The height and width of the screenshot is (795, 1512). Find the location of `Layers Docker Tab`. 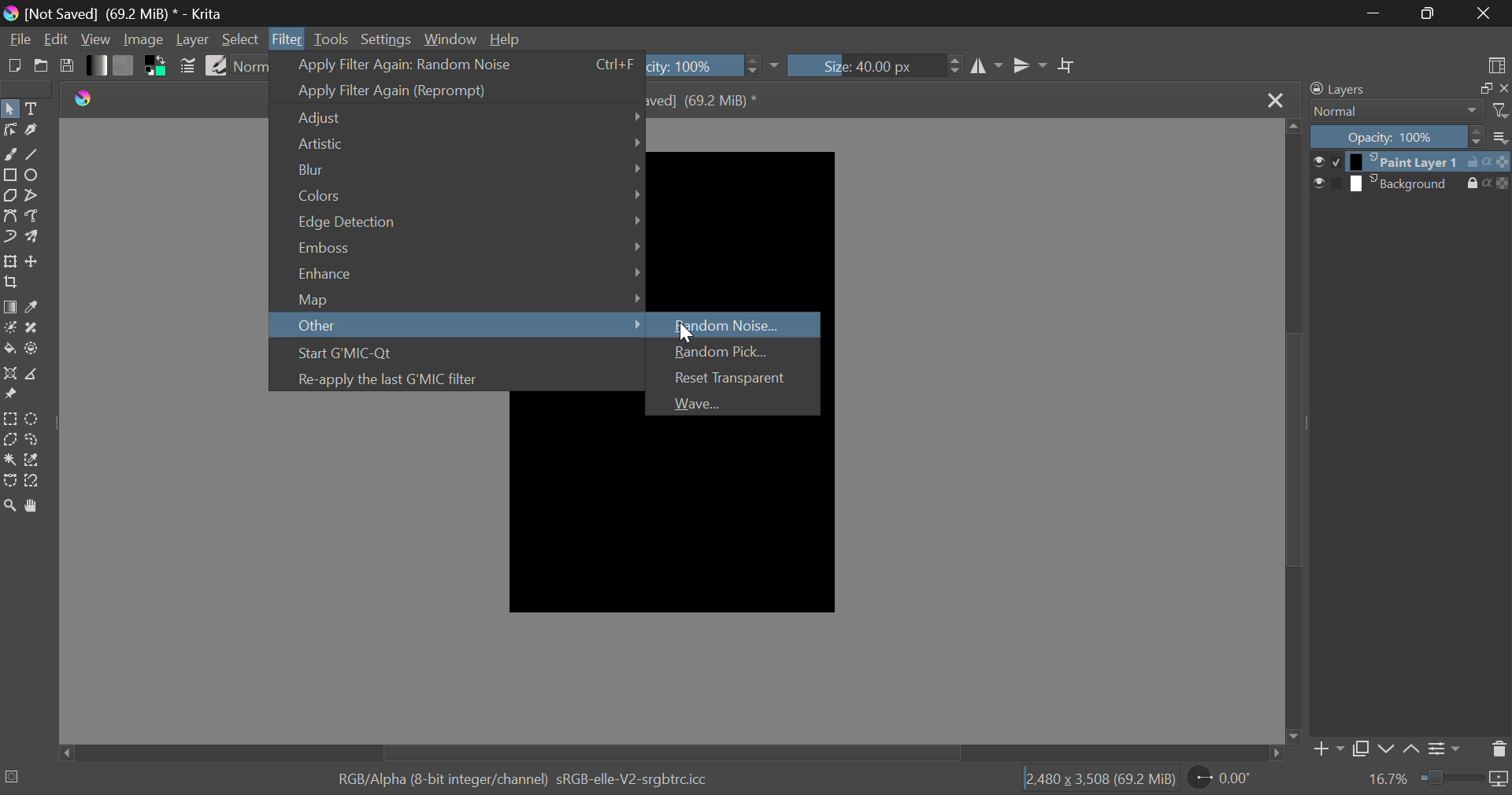

Layers Docker Tab is located at coordinates (1379, 90).